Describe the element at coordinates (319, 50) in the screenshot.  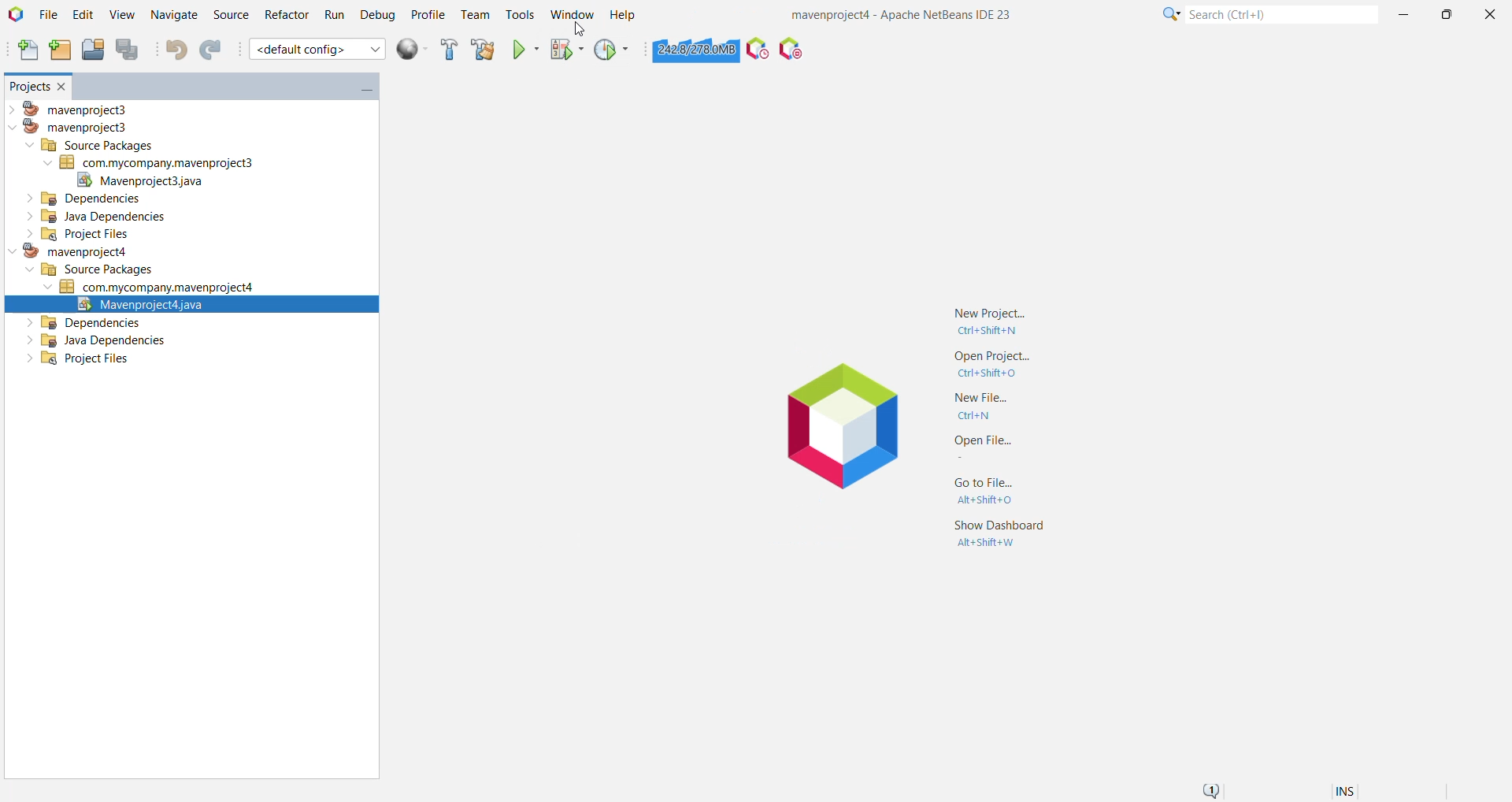
I see `default config` at that location.